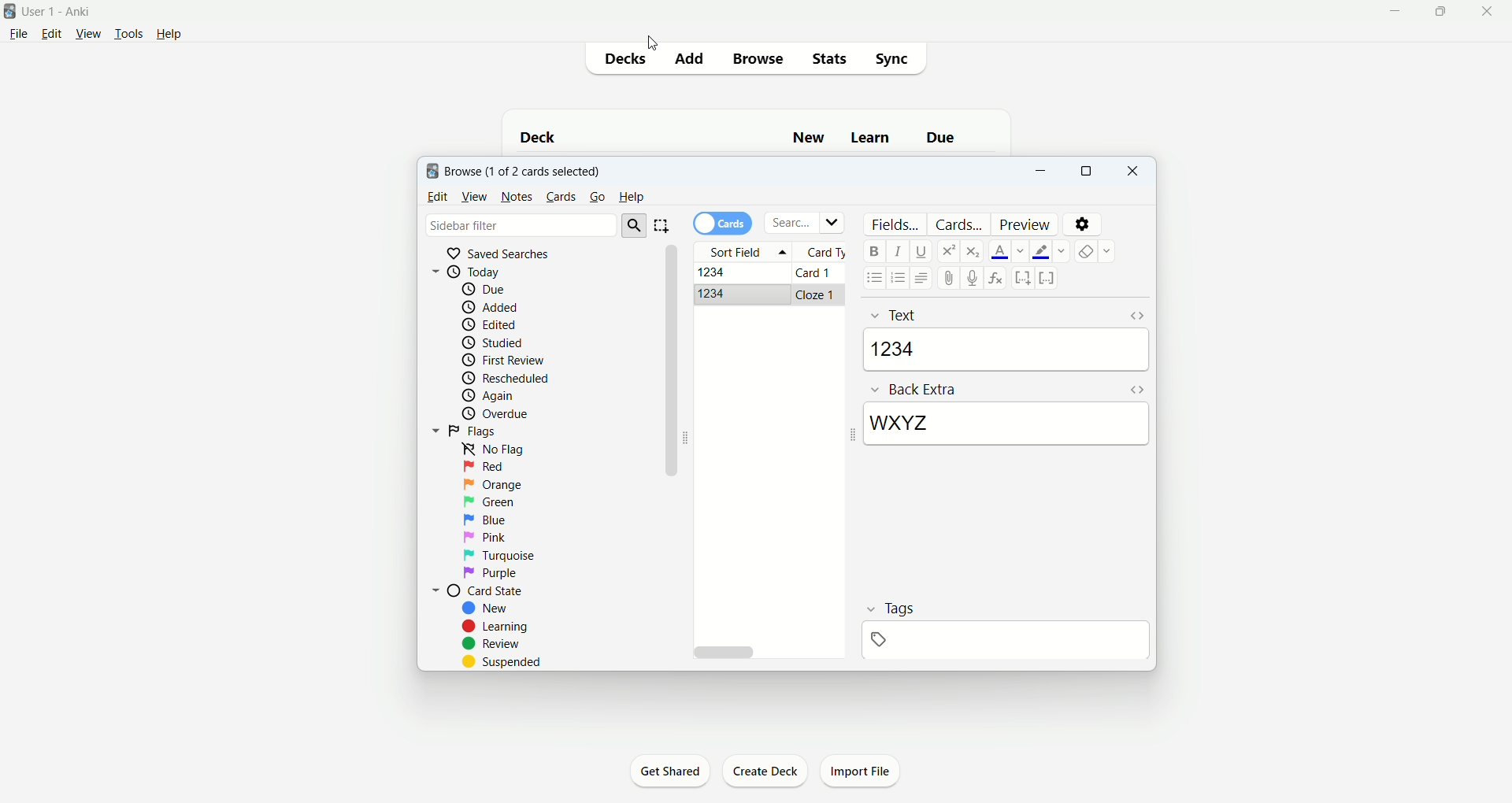 The width and height of the screenshot is (1512, 803). I want to click on select, so click(665, 223).